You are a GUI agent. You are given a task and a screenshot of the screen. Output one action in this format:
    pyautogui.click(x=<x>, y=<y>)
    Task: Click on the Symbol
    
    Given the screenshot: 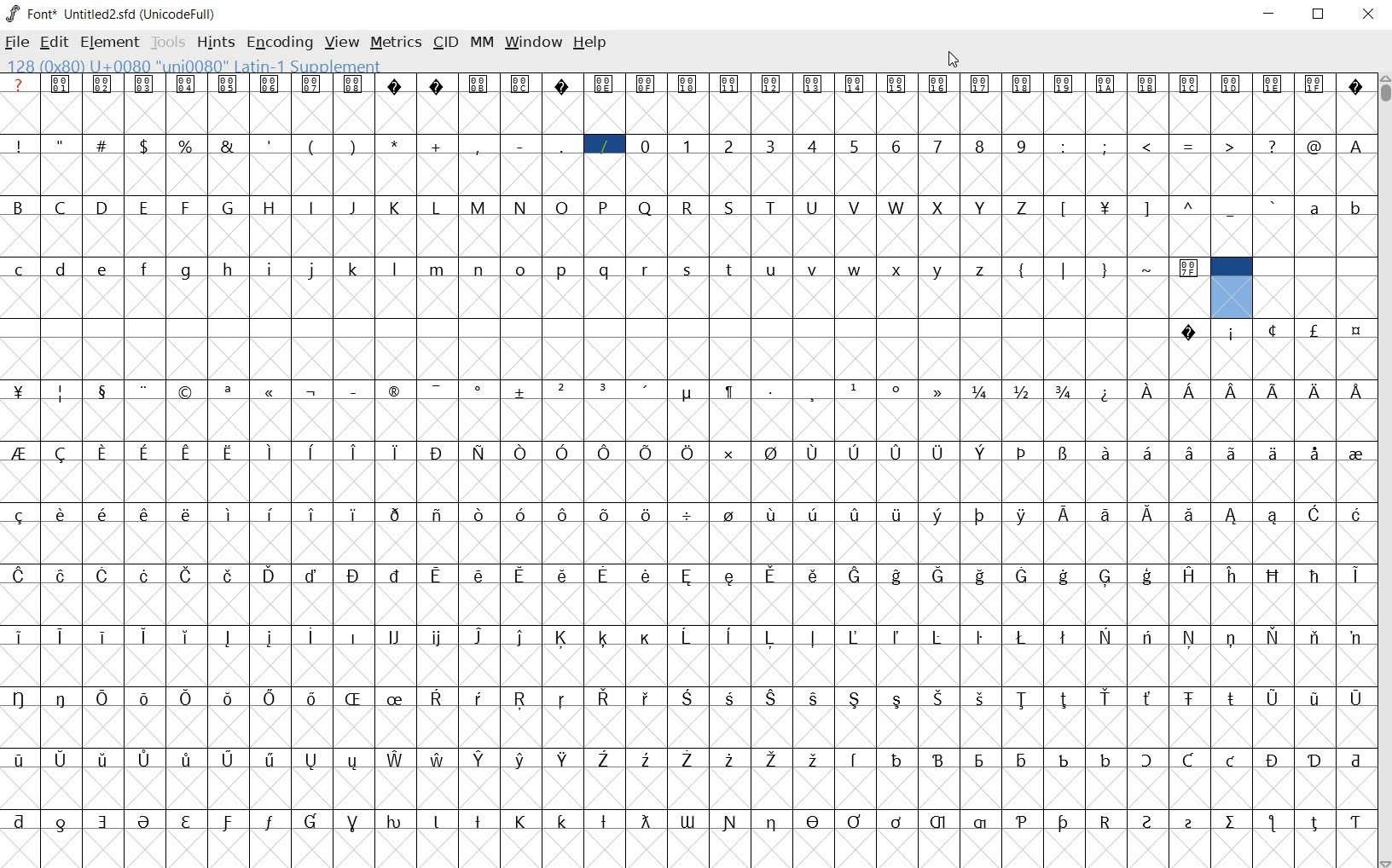 What is the action you would take?
    pyautogui.click(x=769, y=637)
    